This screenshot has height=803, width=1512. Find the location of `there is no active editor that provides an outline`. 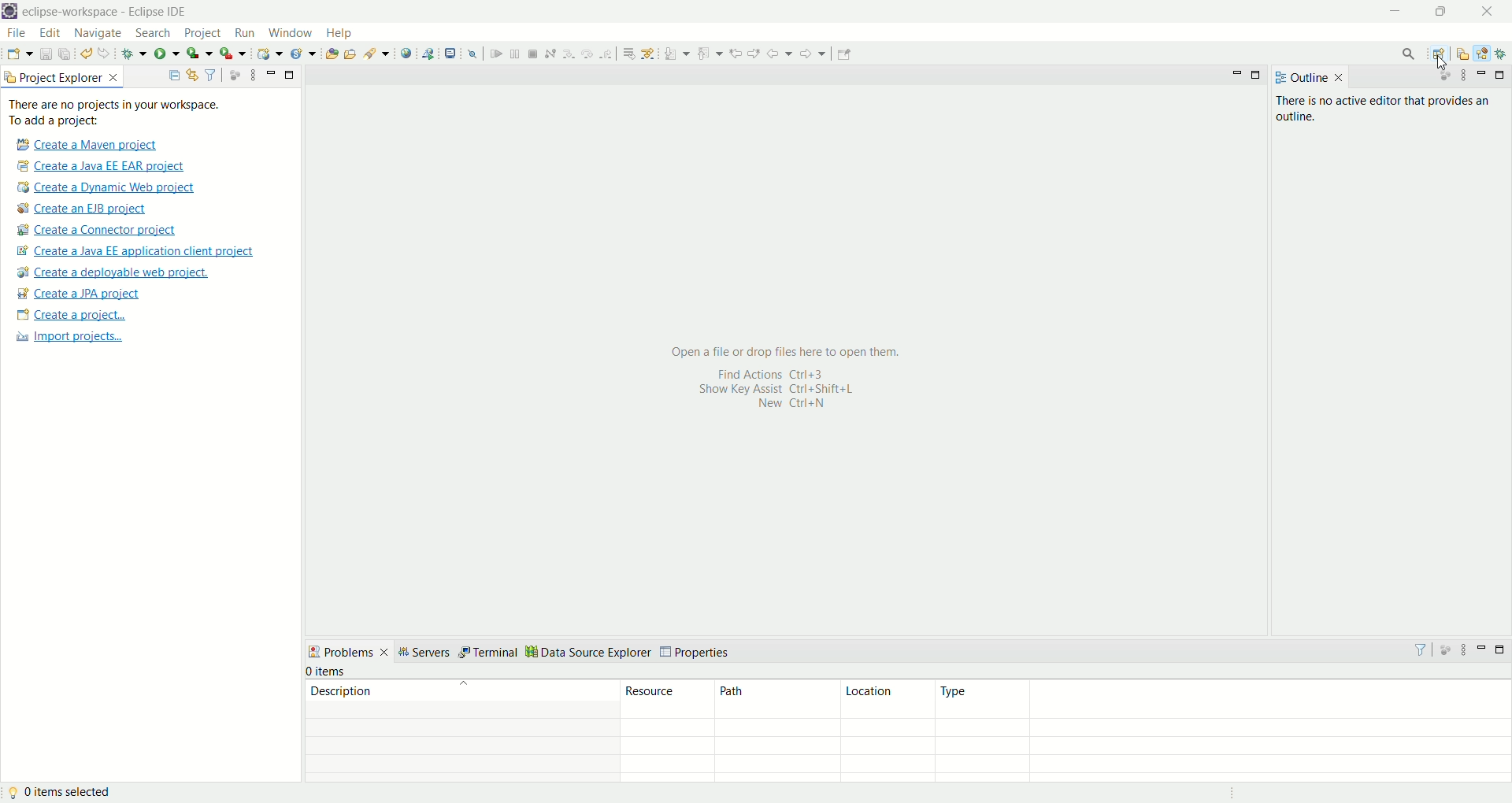

there is no active editor that provides an outline is located at coordinates (1386, 109).